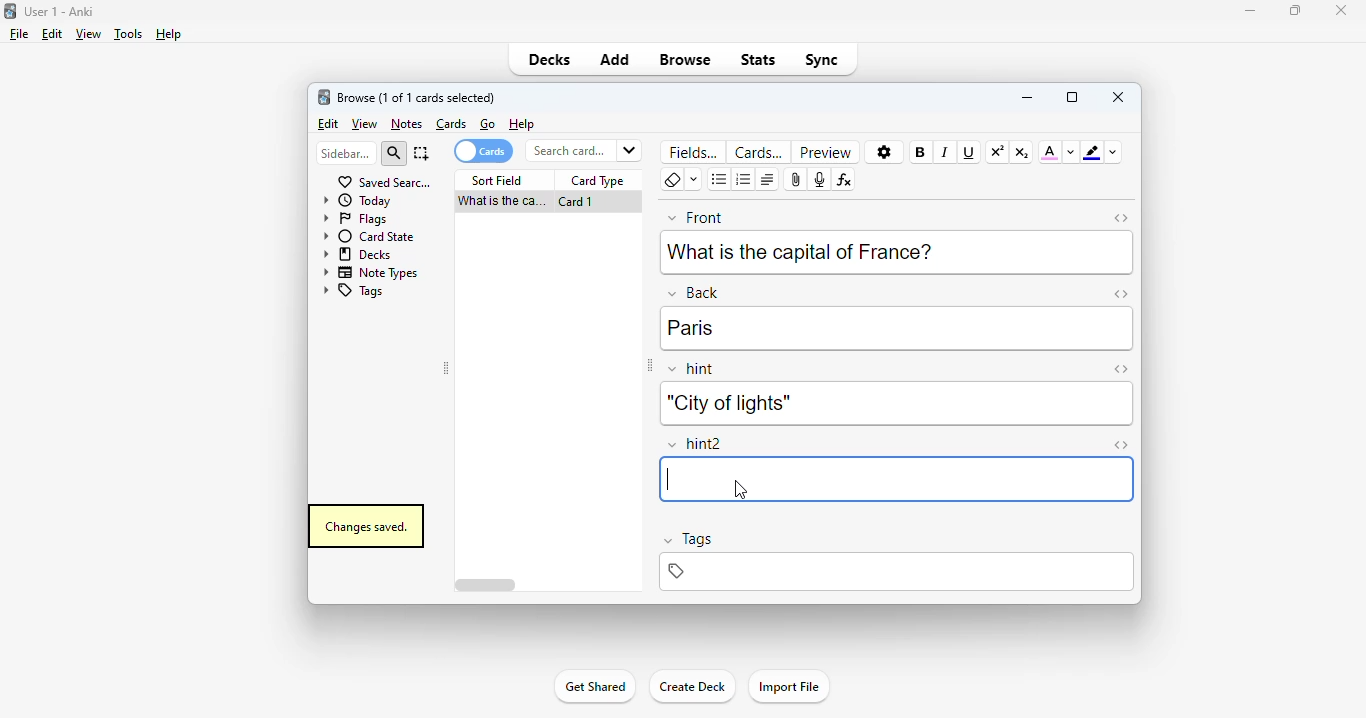 The width and height of the screenshot is (1366, 718). What do you see at coordinates (826, 152) in the screenshot?
I see `preview` at bounding box center [826, 152].